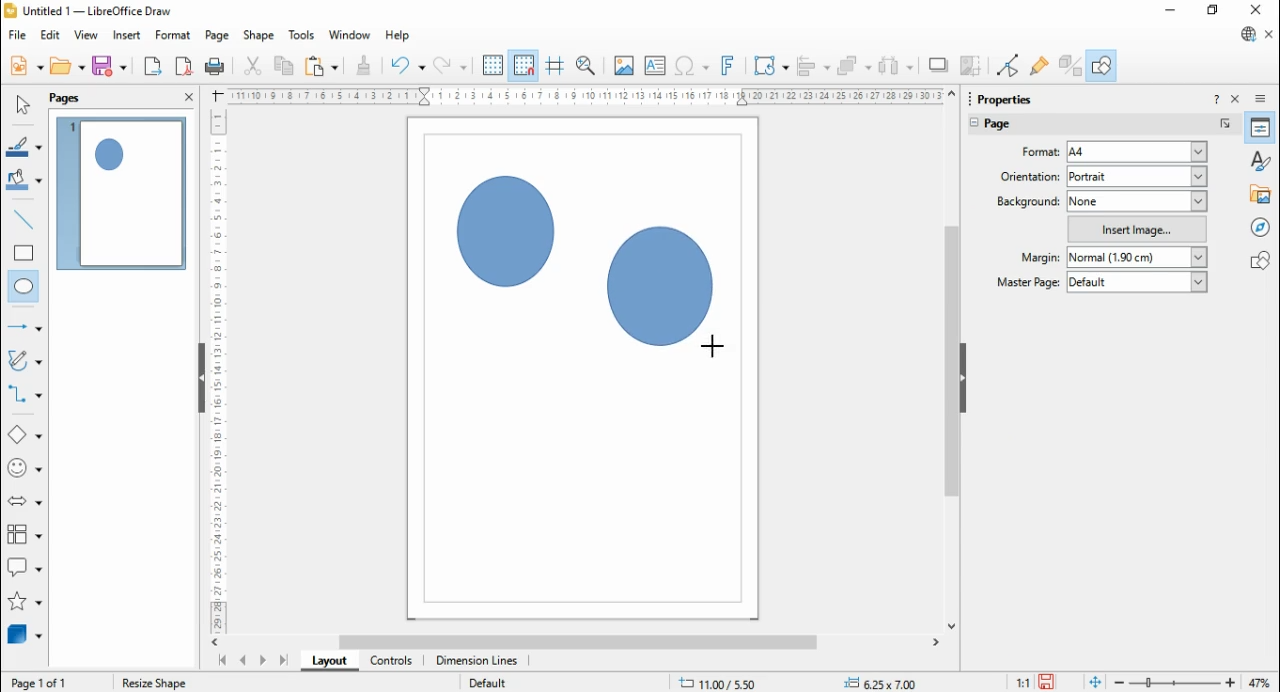 Image resolution: width=1280 pixels, height=692 pixels. What do you see at coordinates (886, 682) in the screenshot?
I see `+= 0,00x 0.00` at bounding box center [886, 682].